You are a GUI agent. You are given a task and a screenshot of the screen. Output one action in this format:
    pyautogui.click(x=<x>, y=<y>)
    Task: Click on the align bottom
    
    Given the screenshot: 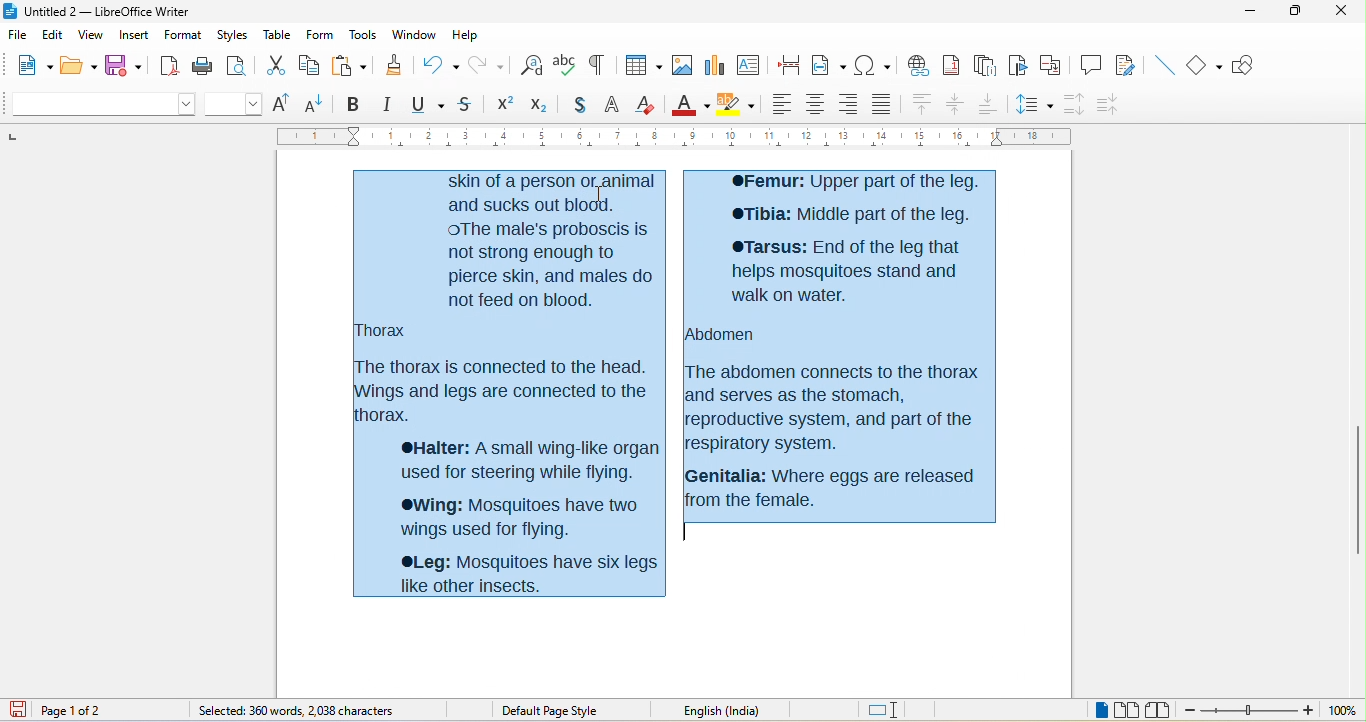 What is the action you would take?
    pyautogui.click(x=986, y=104)
    